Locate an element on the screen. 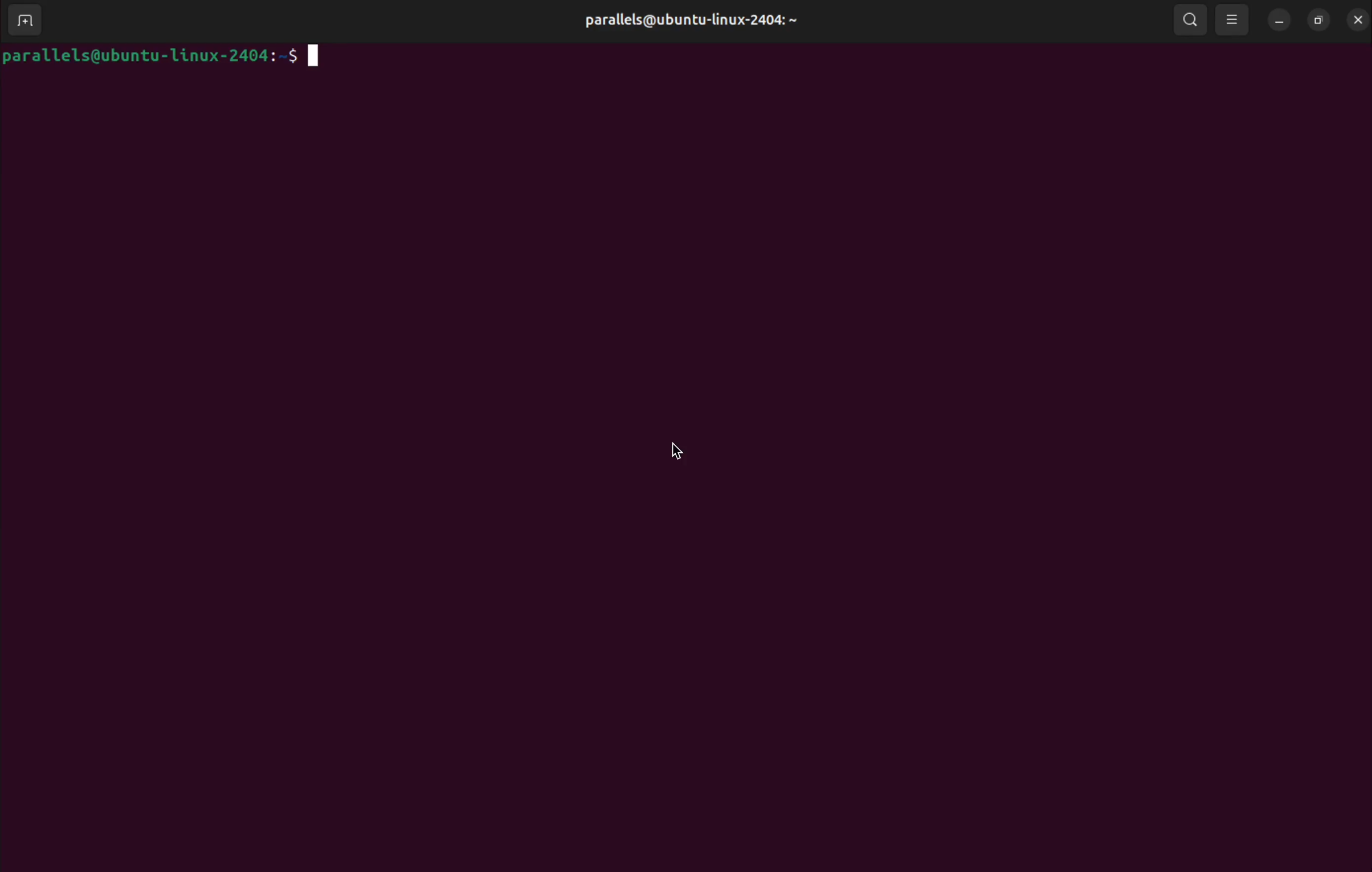  search  is located at coordinates (1190, 19).